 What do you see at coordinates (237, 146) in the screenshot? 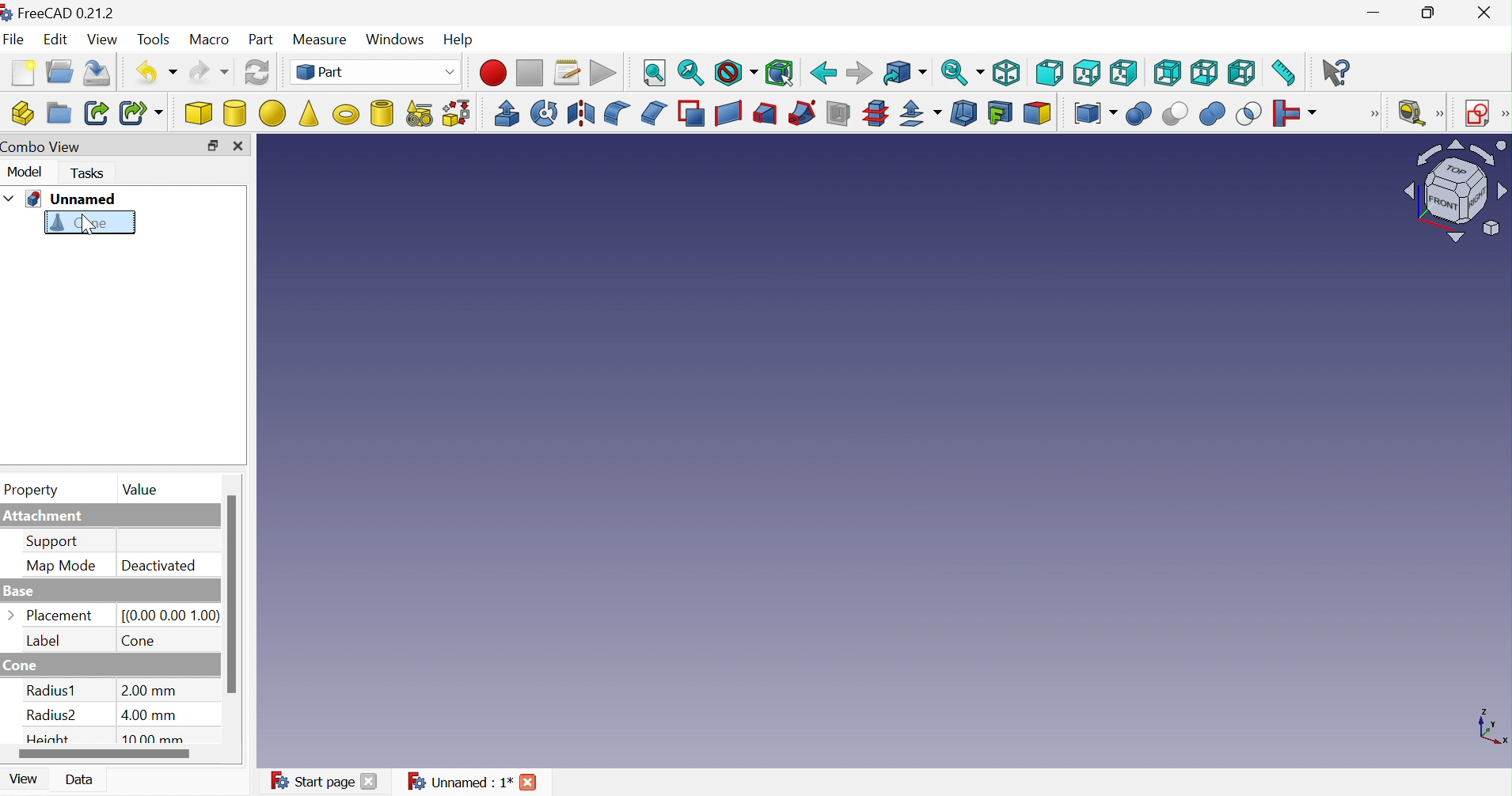
I see `Close` at bounding box center [237, 146].